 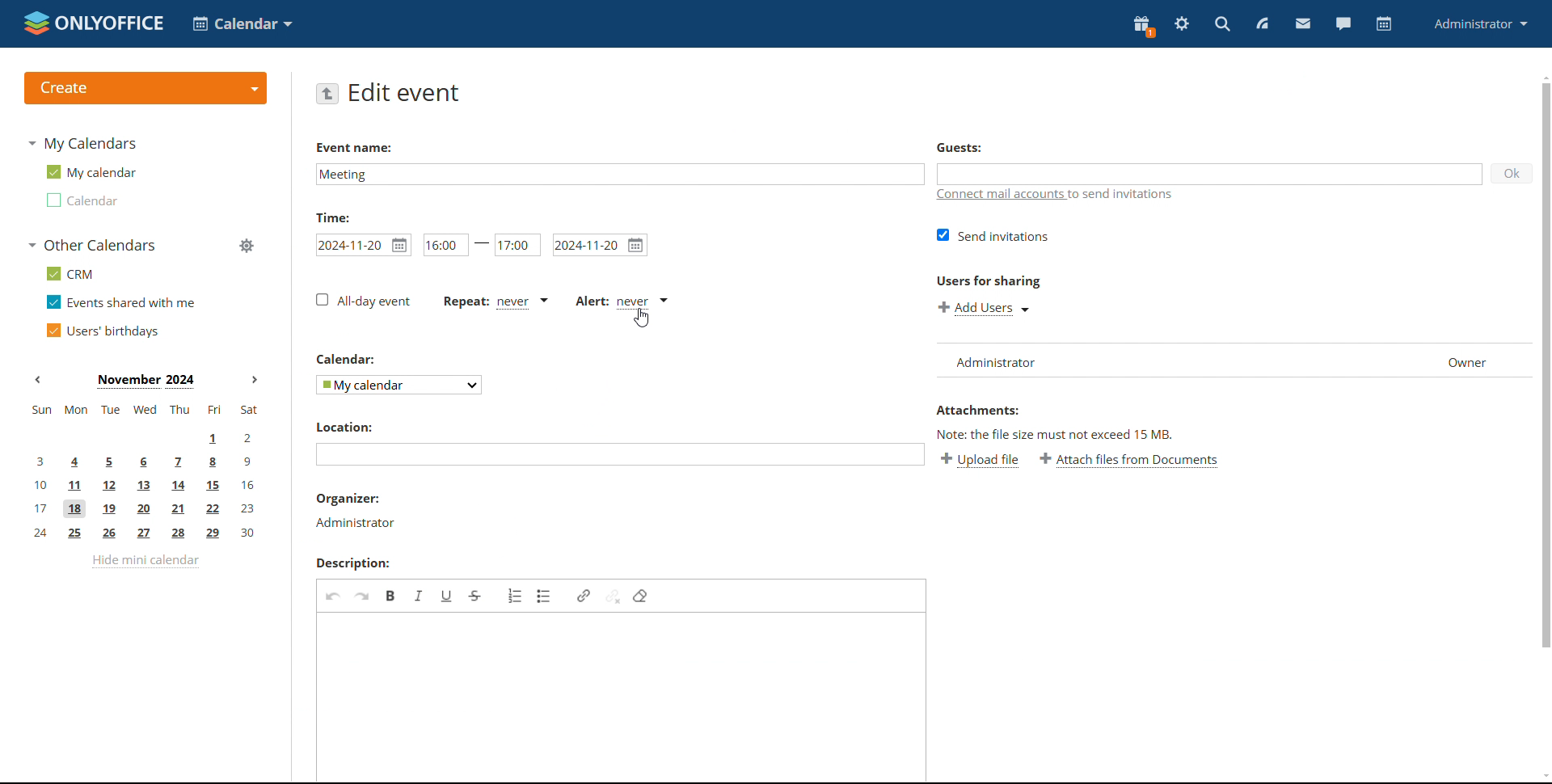 What do you see at coordinates (356, 146) in the screenshot?
I see `Event name` at bounding box center [356, 146].